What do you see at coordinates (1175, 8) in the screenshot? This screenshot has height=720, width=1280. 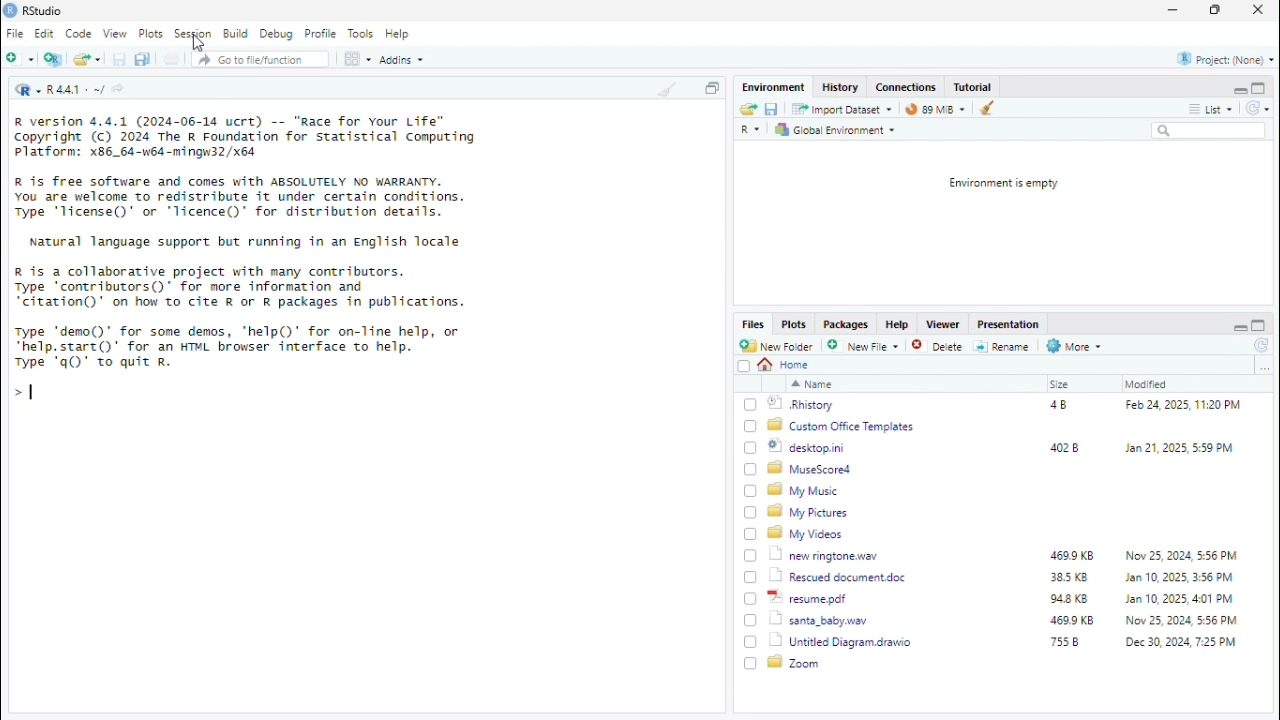 I see `minimise` at bounding box center [1175, 8].